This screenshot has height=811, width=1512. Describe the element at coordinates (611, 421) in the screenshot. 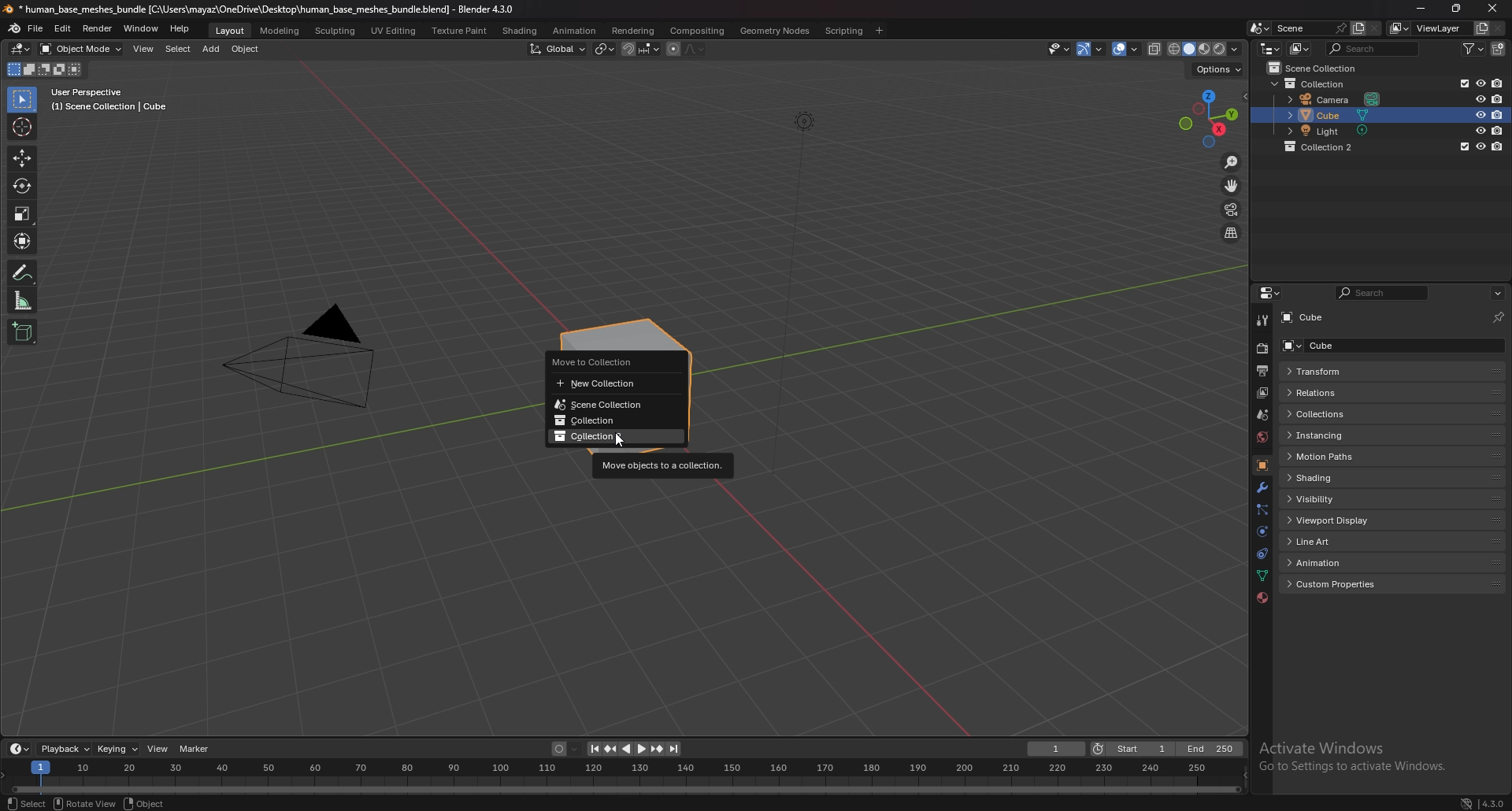

I see `collection` at that location.